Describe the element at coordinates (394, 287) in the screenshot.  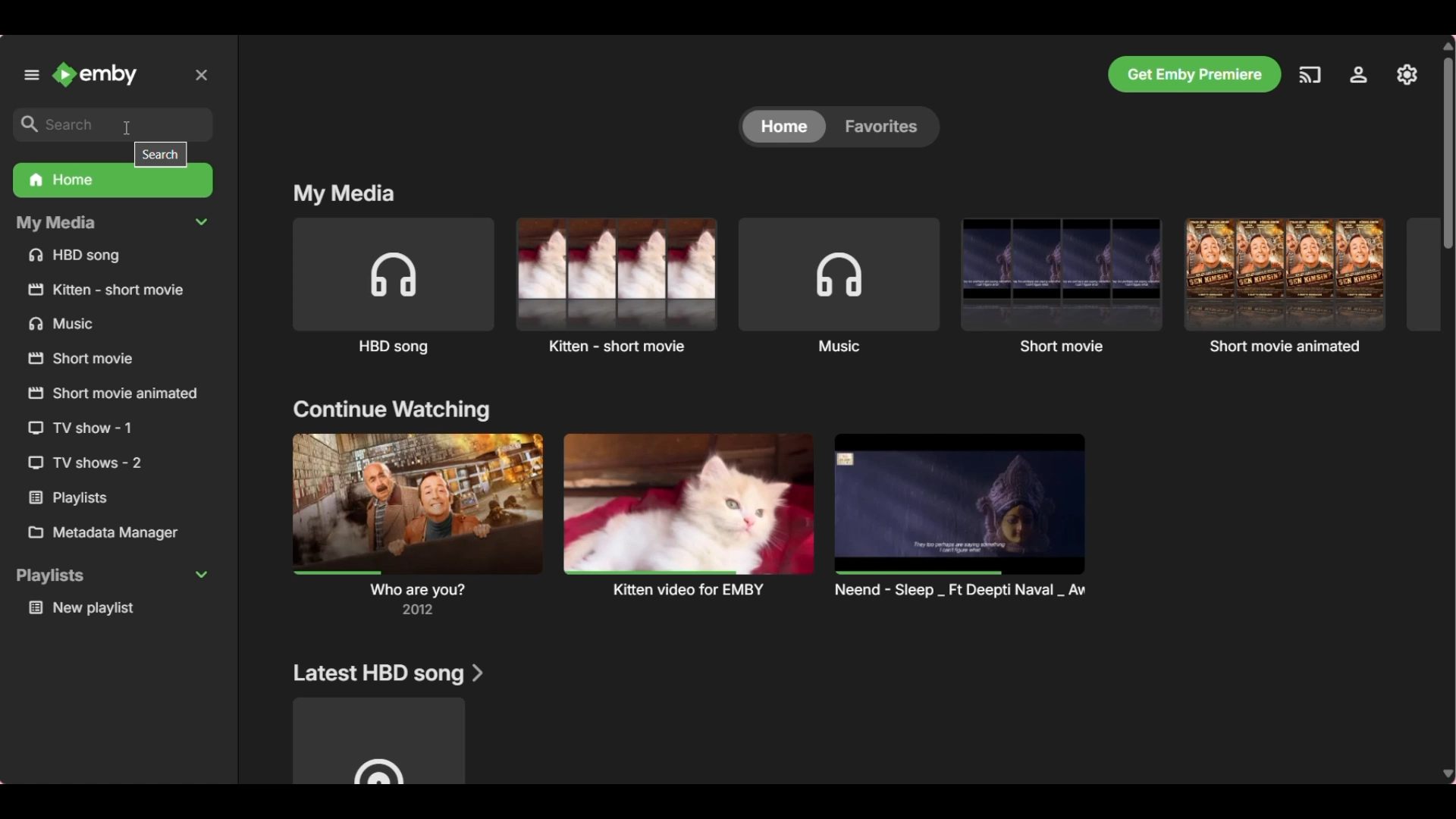
I see `HBD song` at that location.